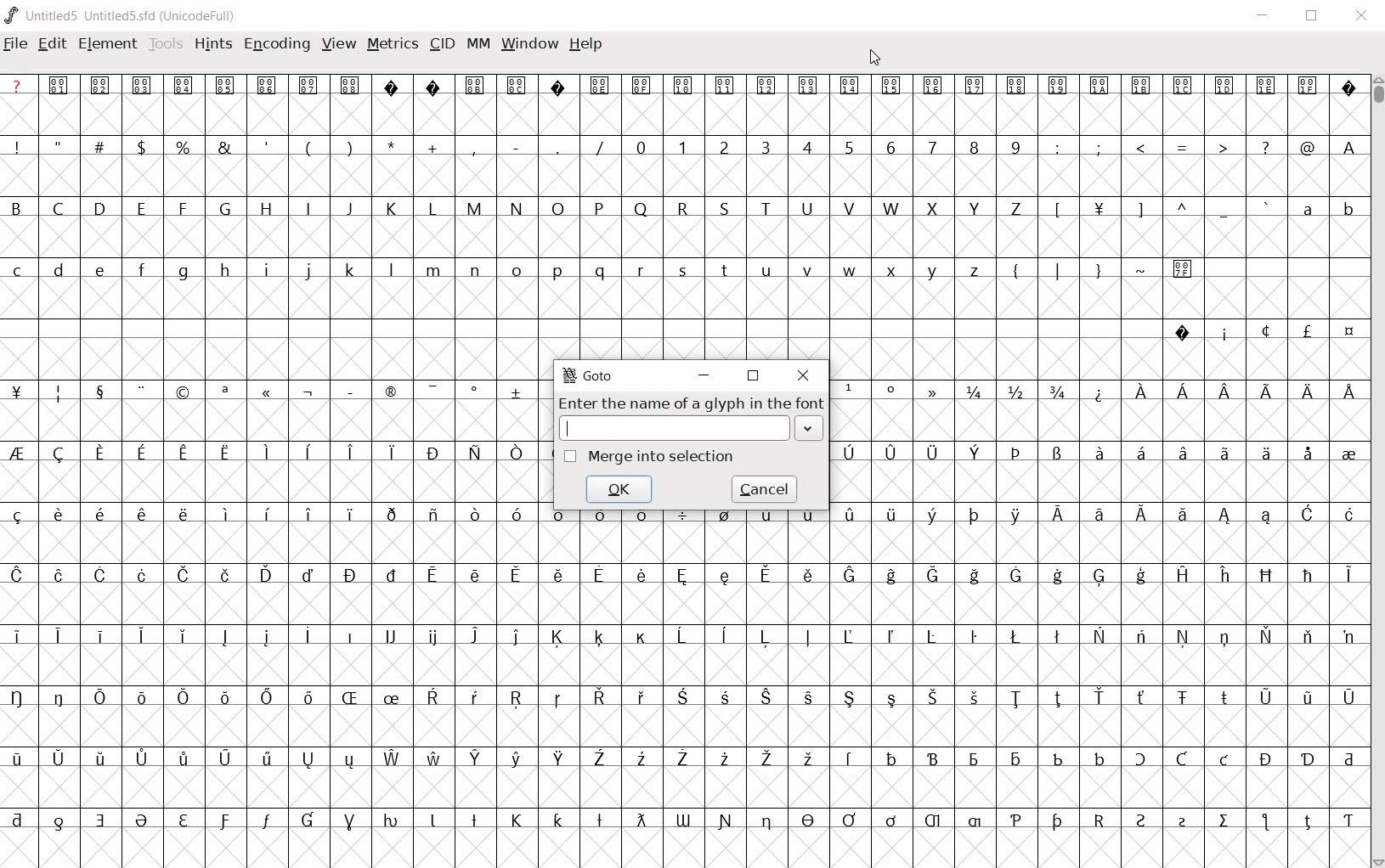  What do you see at coordinates (227, 146) in the screenshot?
I see `&` at bounding box center [227, 146].